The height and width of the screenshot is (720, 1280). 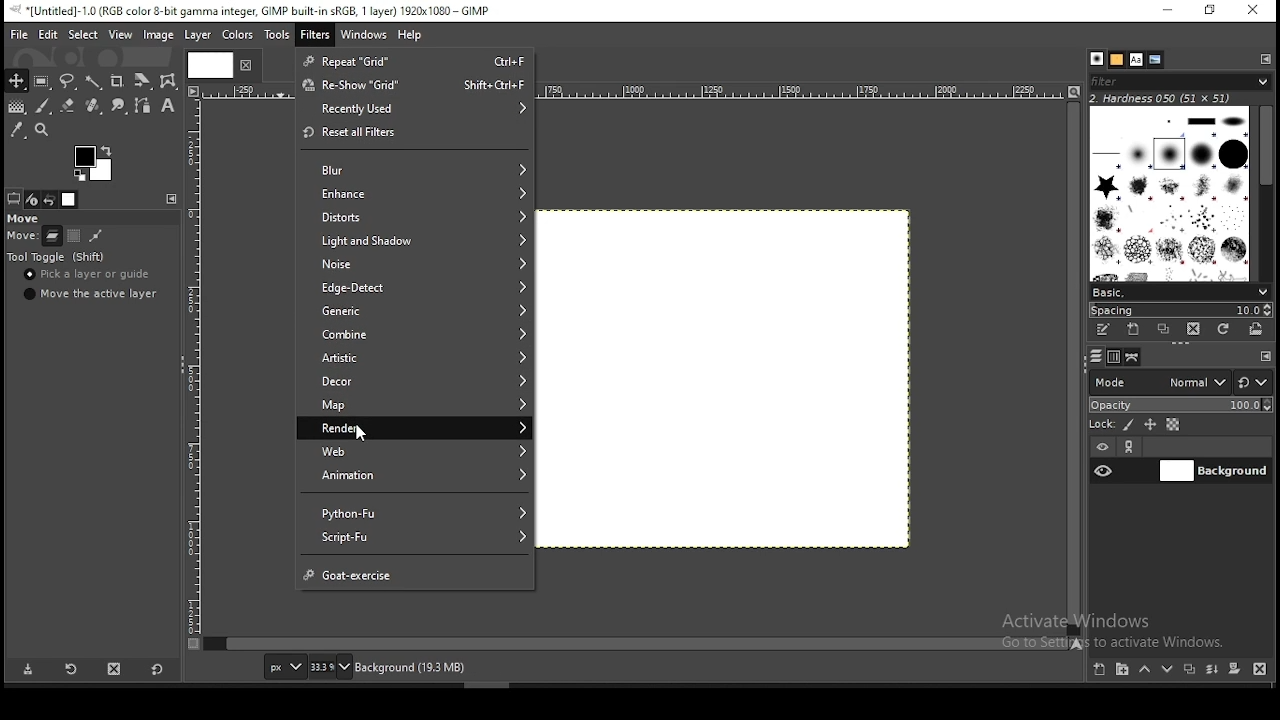 What do you see at coordinates (1214, 471) in the screenshot?
I see `layer` at bounding box center [1214, 471].